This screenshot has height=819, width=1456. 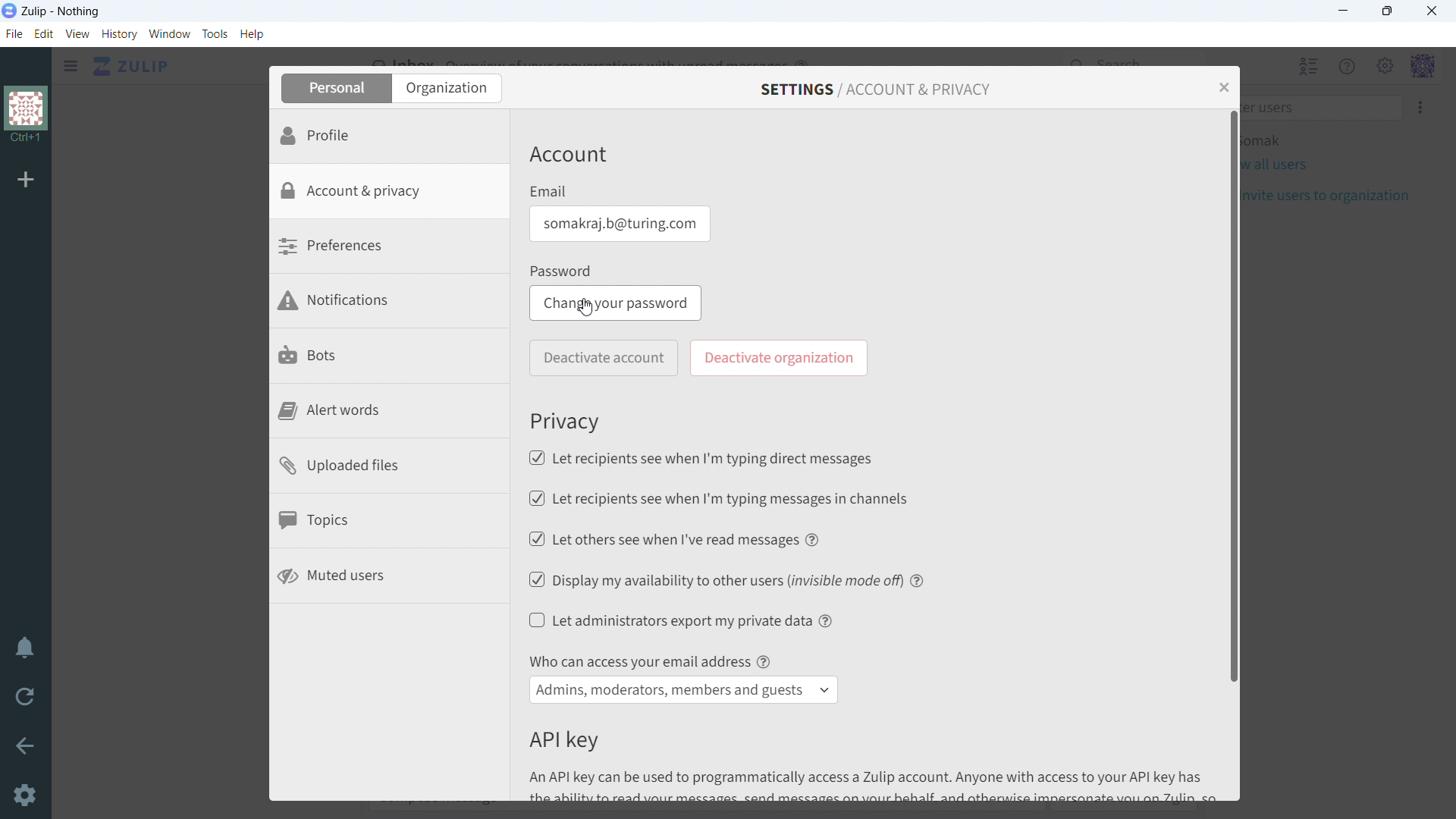 I want to click on bots, so click(x=391, y=358).